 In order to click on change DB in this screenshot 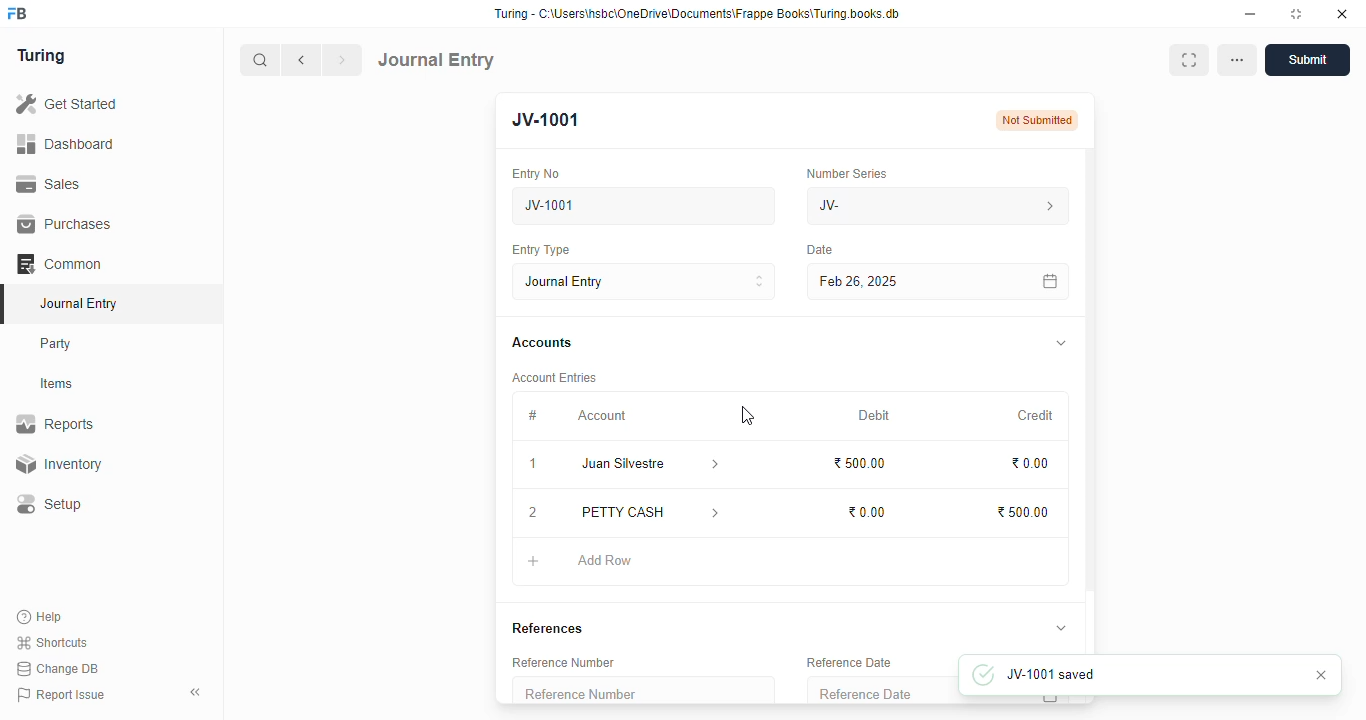, I will do `click(58, 669)`.